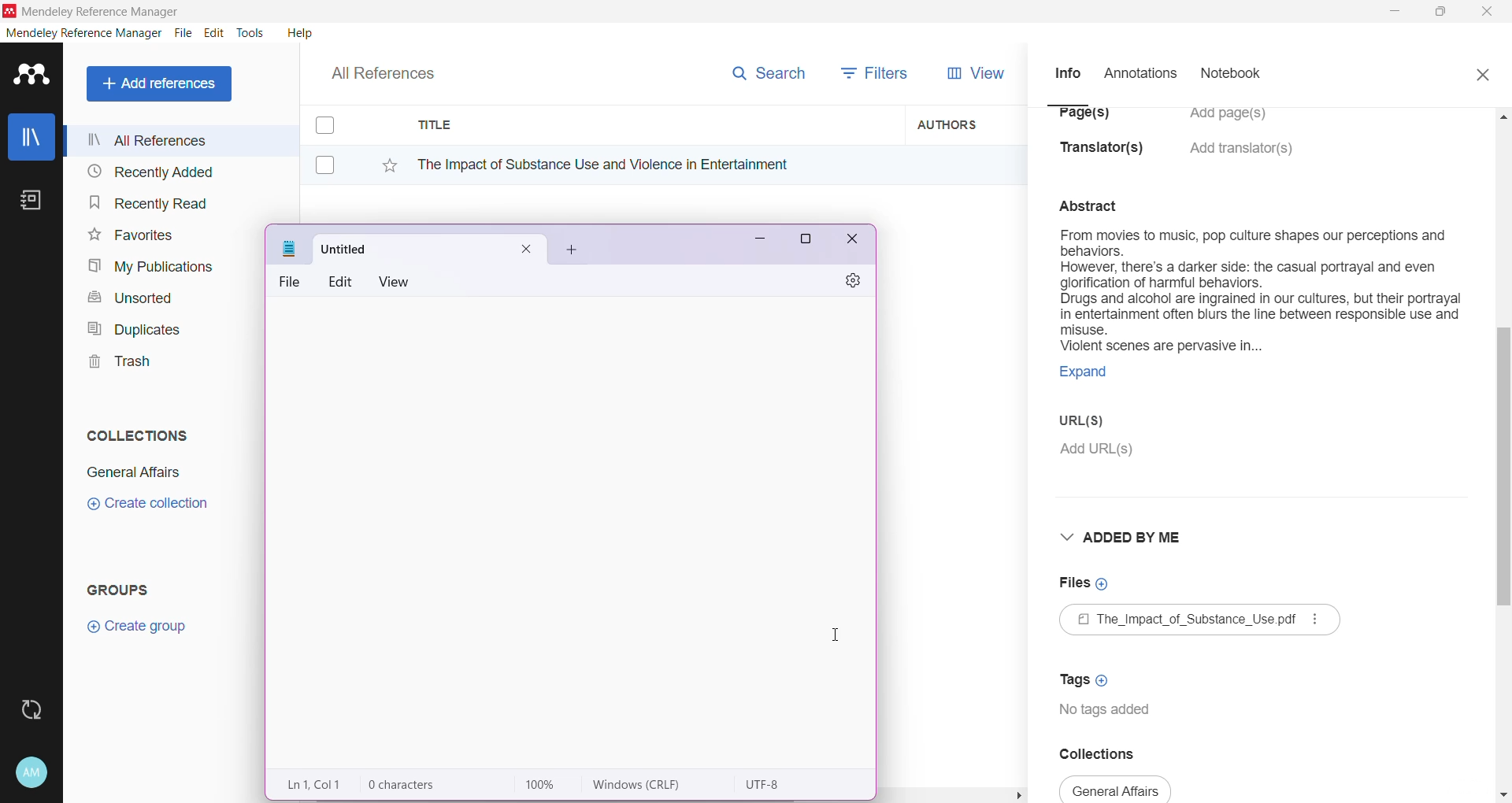  Describe the element at coordinates (647, 785) in the screenshot. I see `Windows (Carriage Return, Line Feed)` at that location.